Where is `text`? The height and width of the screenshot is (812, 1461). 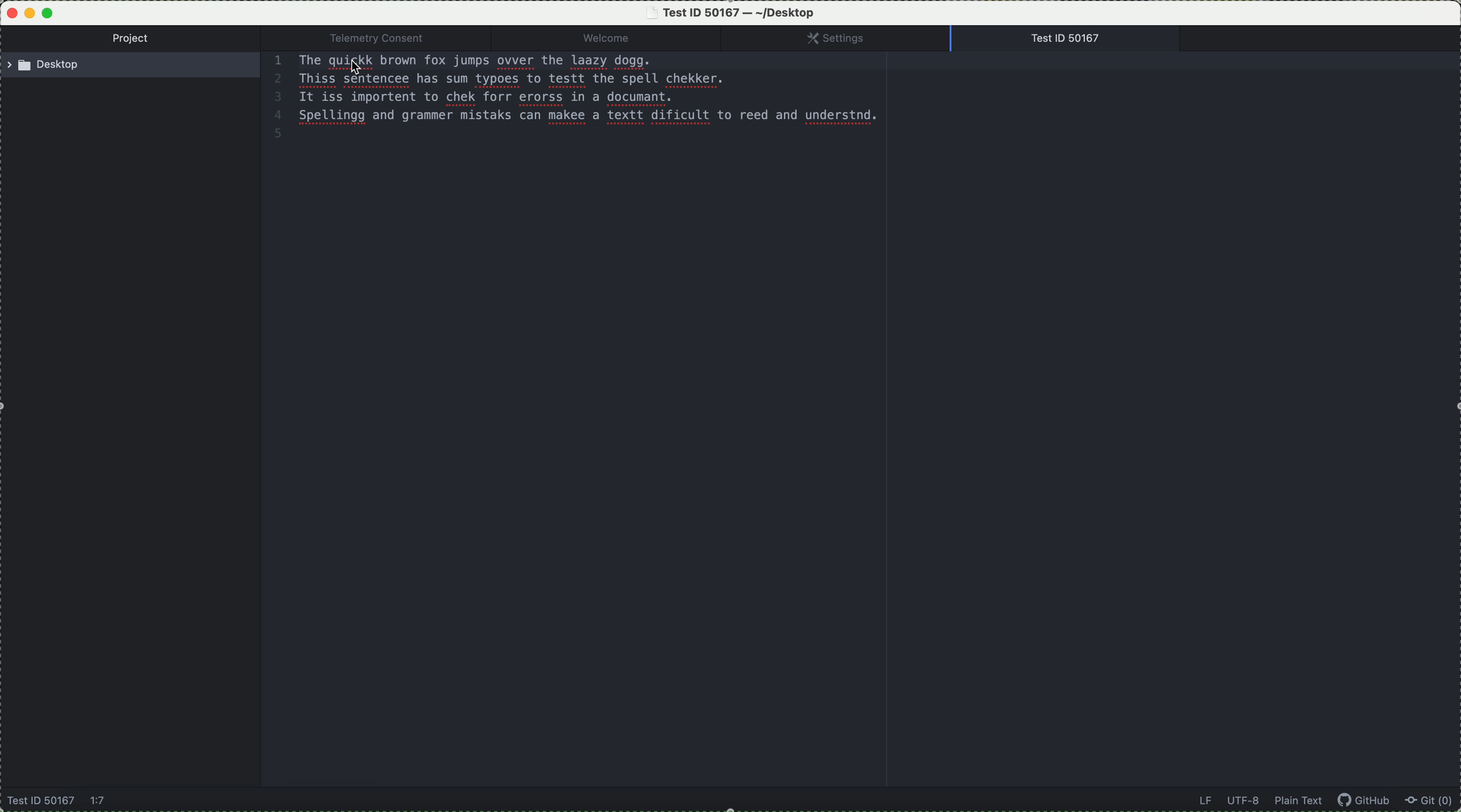 text is located at coordinates (580, 102).